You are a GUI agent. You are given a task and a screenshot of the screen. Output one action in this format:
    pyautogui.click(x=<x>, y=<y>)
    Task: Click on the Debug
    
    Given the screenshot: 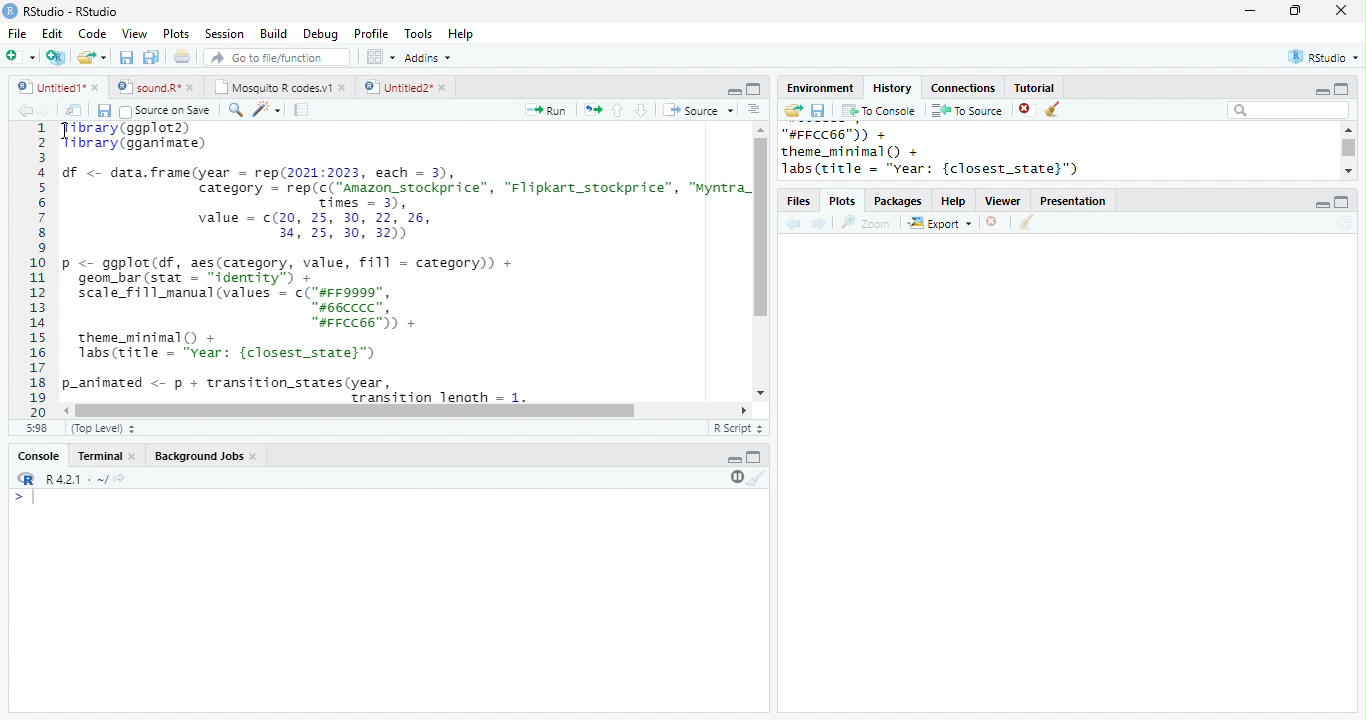 What is the action you would take?
    pyautogui.click(x=321, y=35)
    